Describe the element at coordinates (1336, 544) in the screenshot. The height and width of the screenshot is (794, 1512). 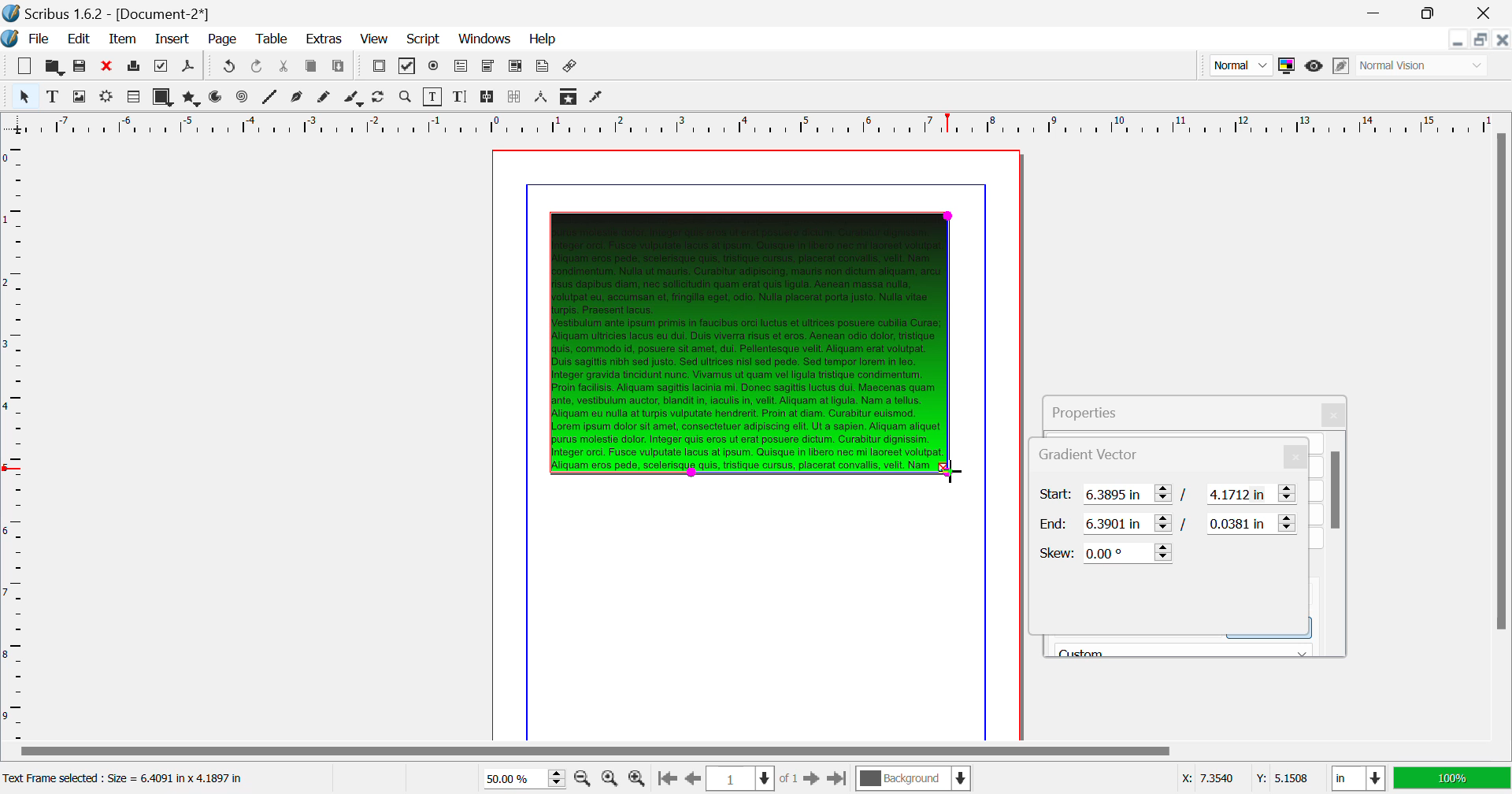
I see `Scroll Bar` at that location.